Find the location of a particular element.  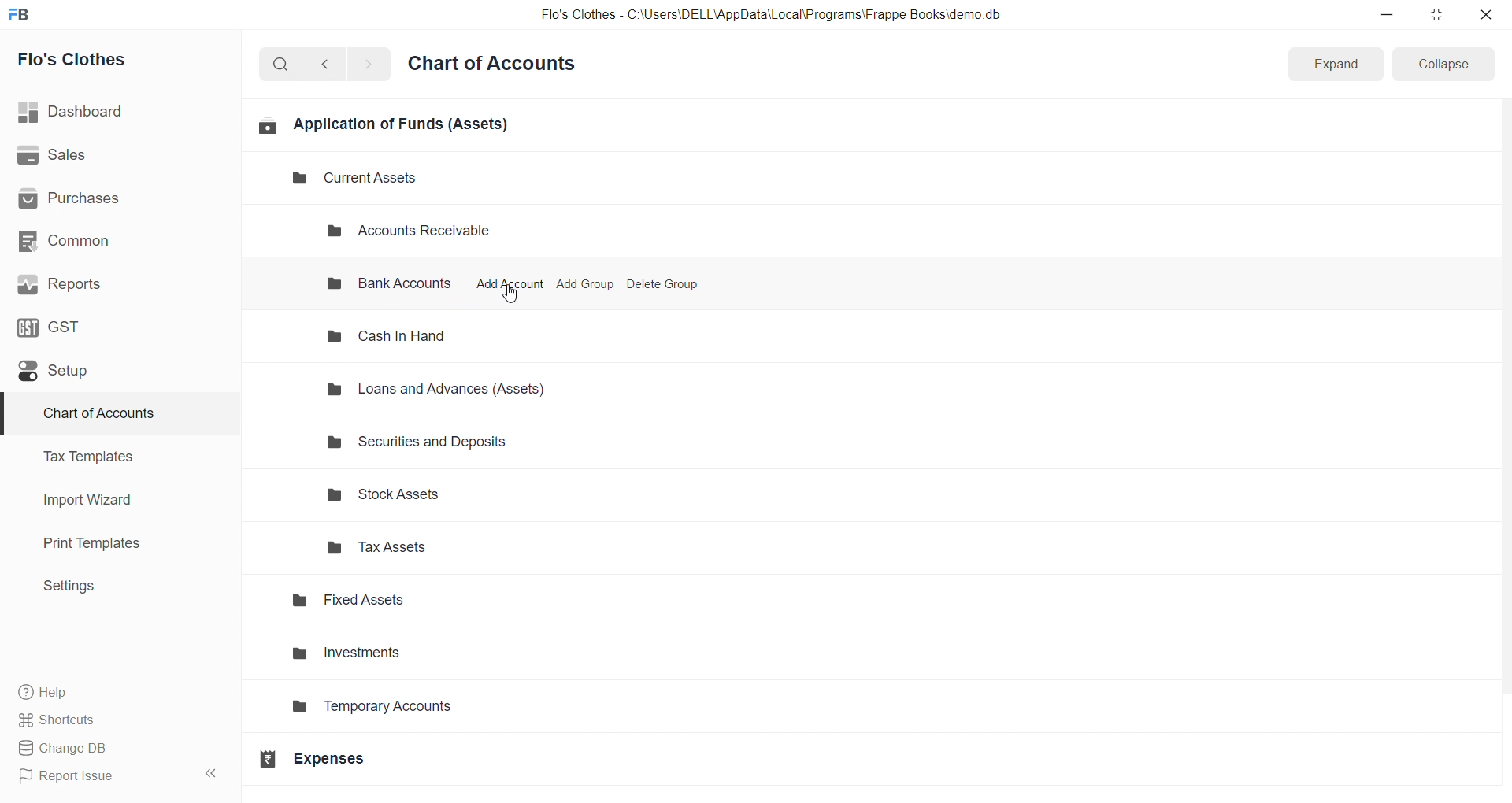

GST is located at coordinates (109, 326).